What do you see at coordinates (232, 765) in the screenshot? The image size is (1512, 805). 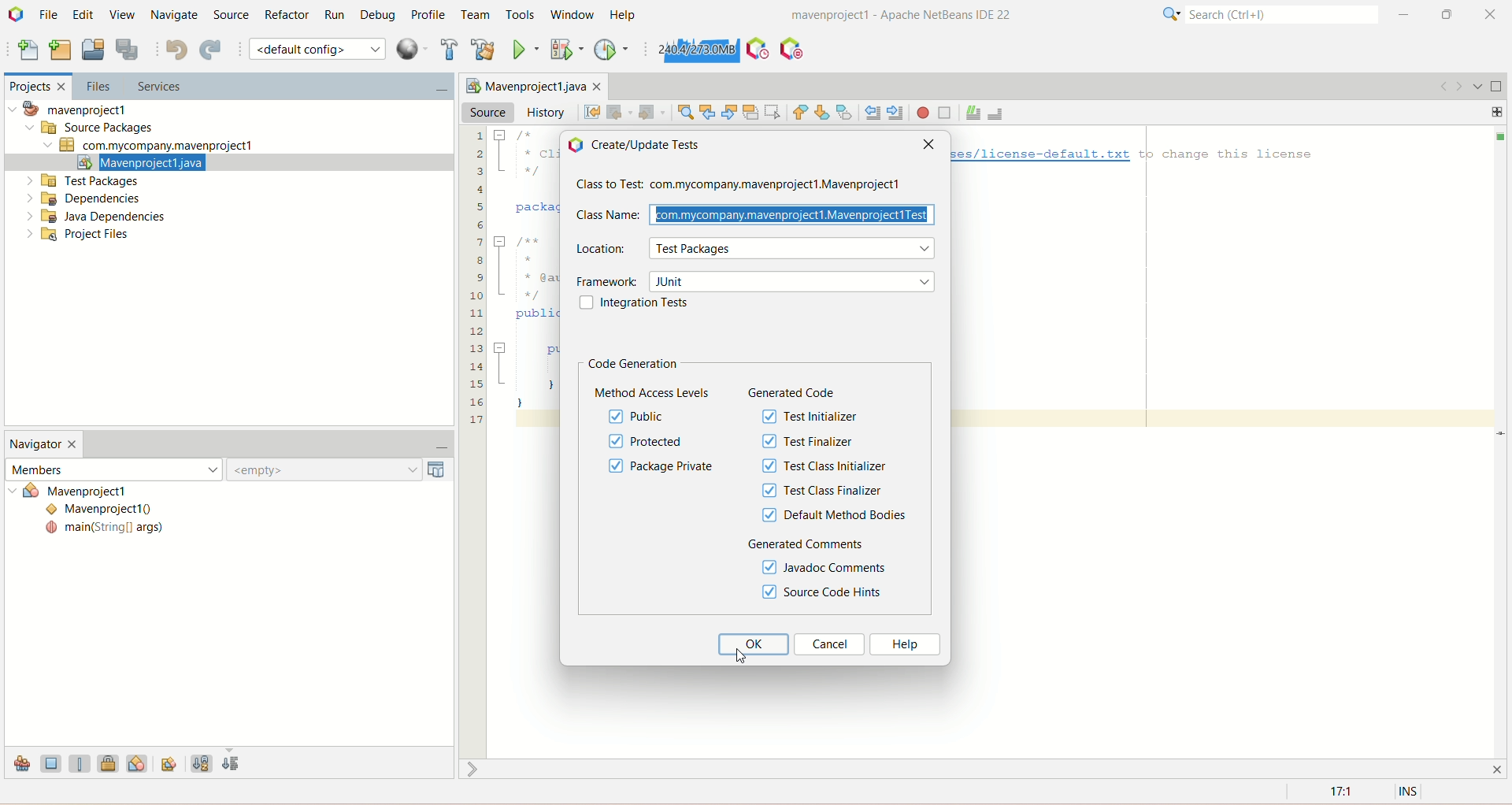 I see `sort by source` at bounding box center [232, 765].